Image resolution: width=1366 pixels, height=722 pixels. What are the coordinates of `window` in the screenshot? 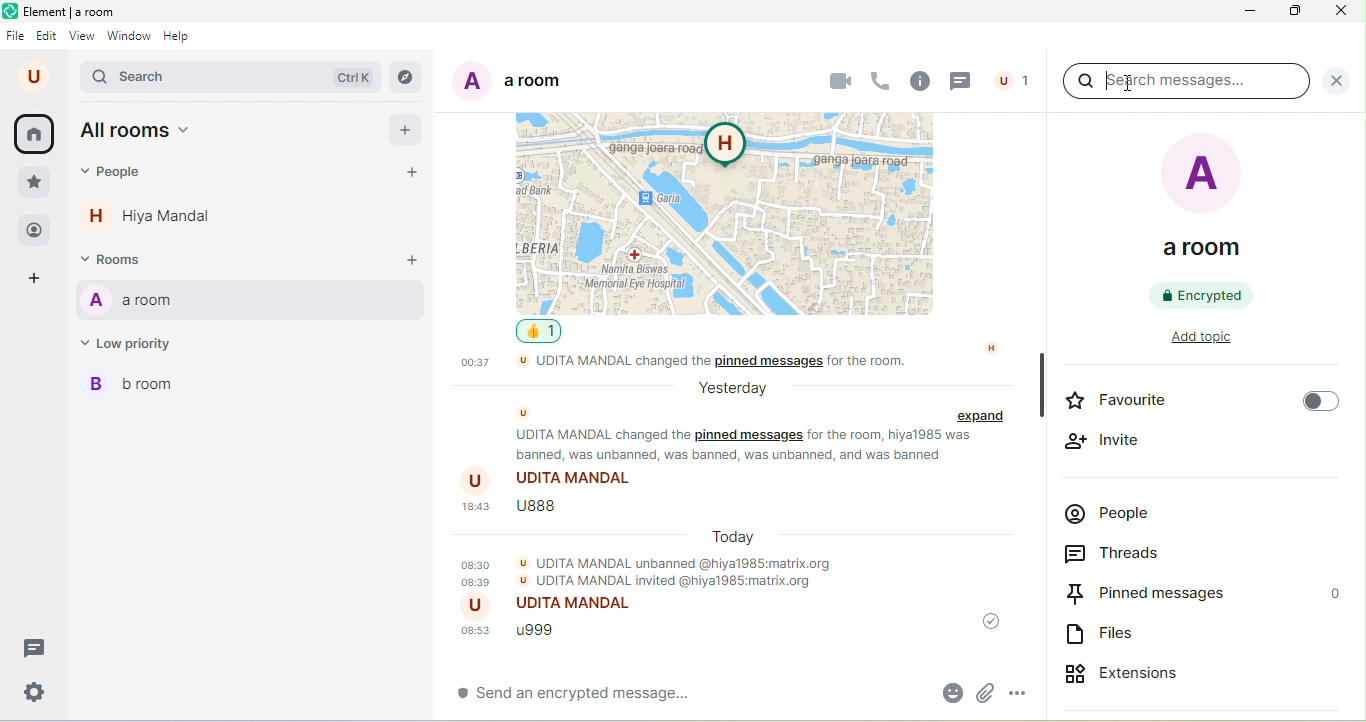 It's located at (130, 38).